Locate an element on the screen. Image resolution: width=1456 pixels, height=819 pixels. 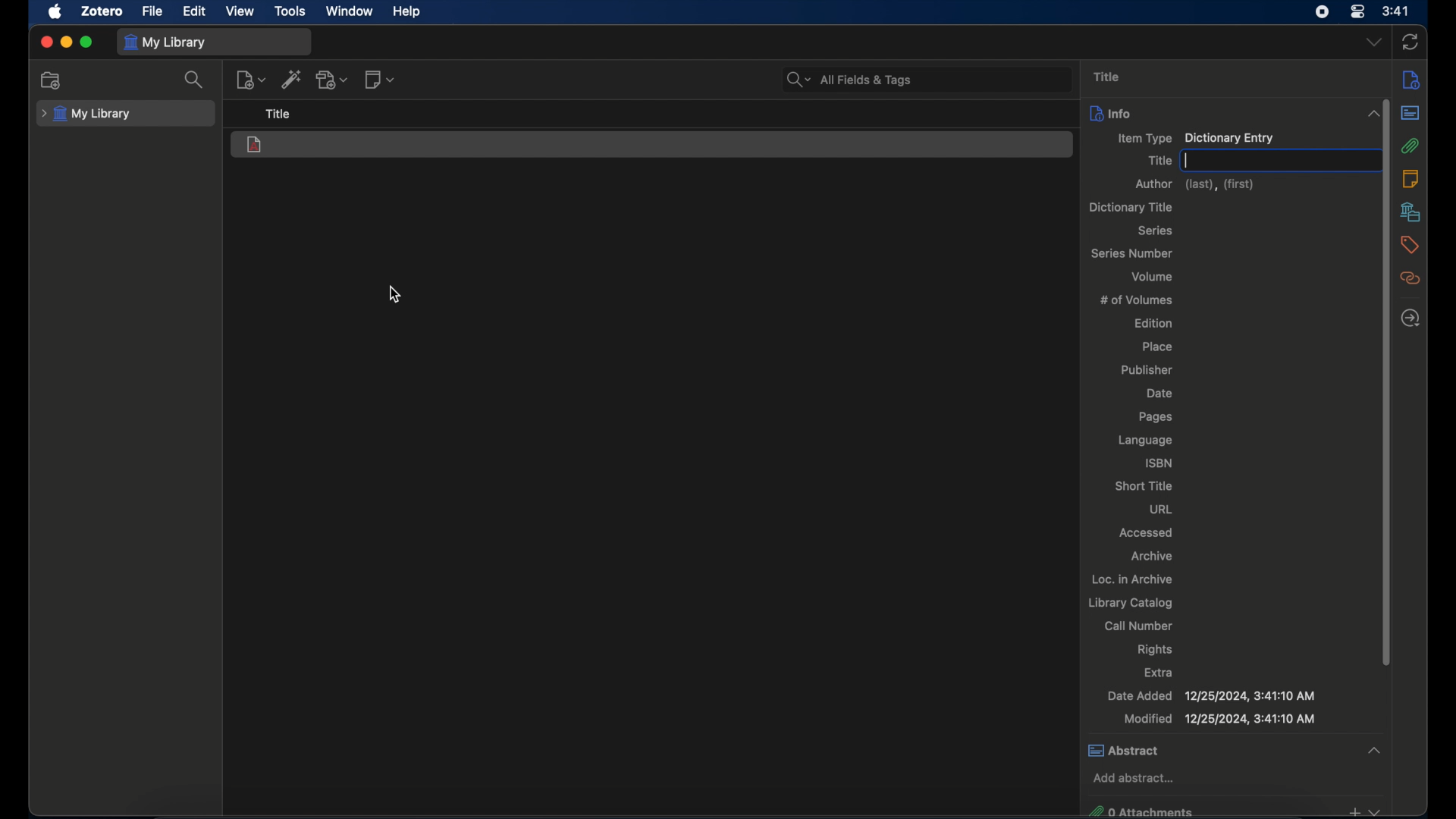
info is located at coordinates (1110, 112).